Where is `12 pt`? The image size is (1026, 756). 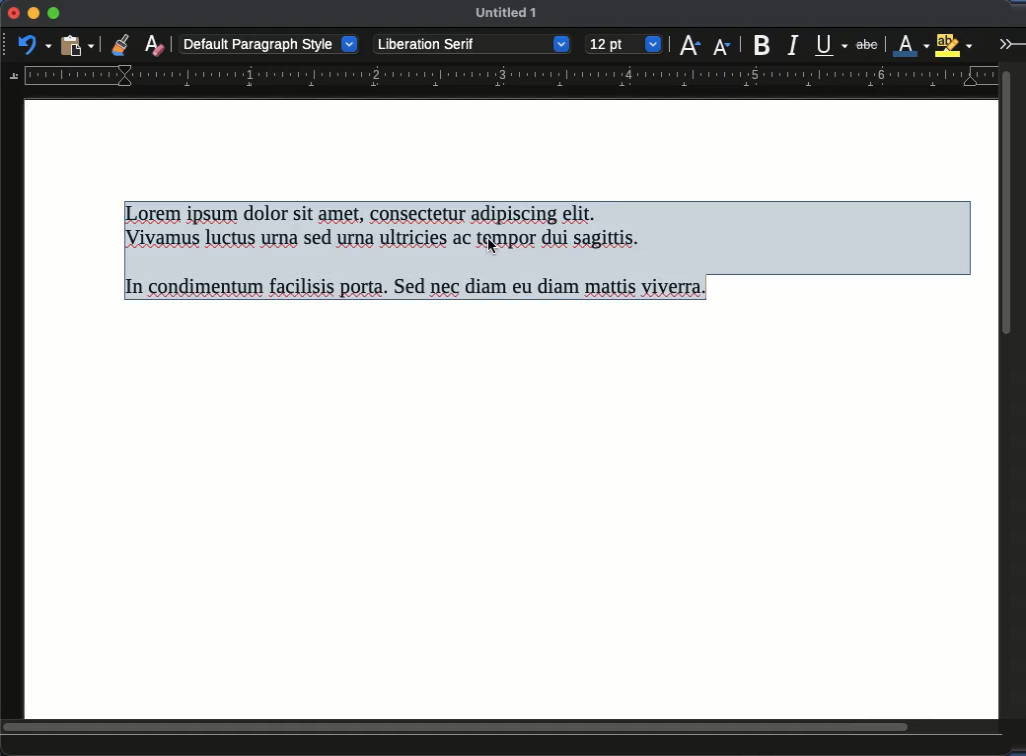
12 pt is located at coordinates (624, 45).